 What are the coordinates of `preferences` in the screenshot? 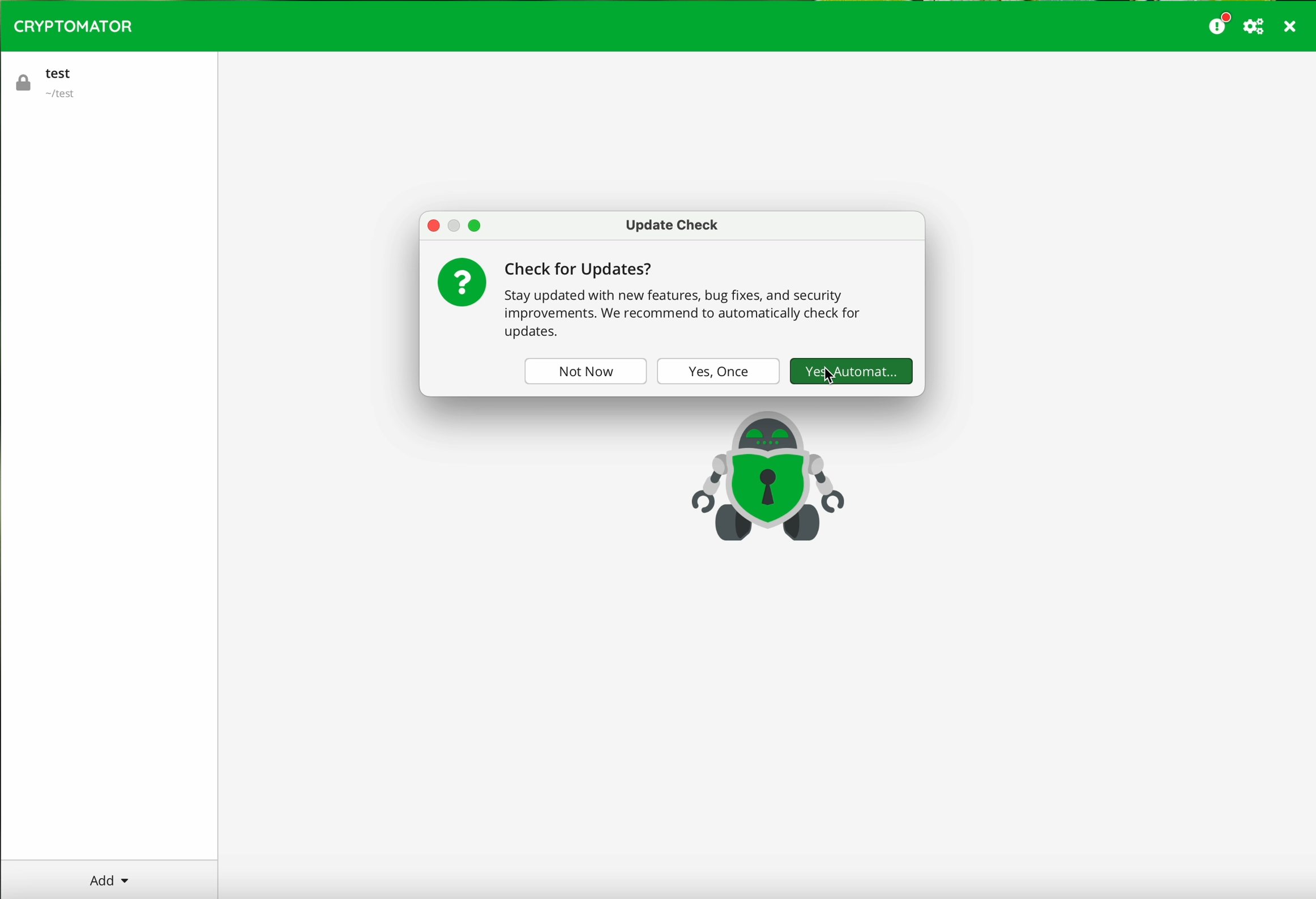 It's located at (1255, 27).